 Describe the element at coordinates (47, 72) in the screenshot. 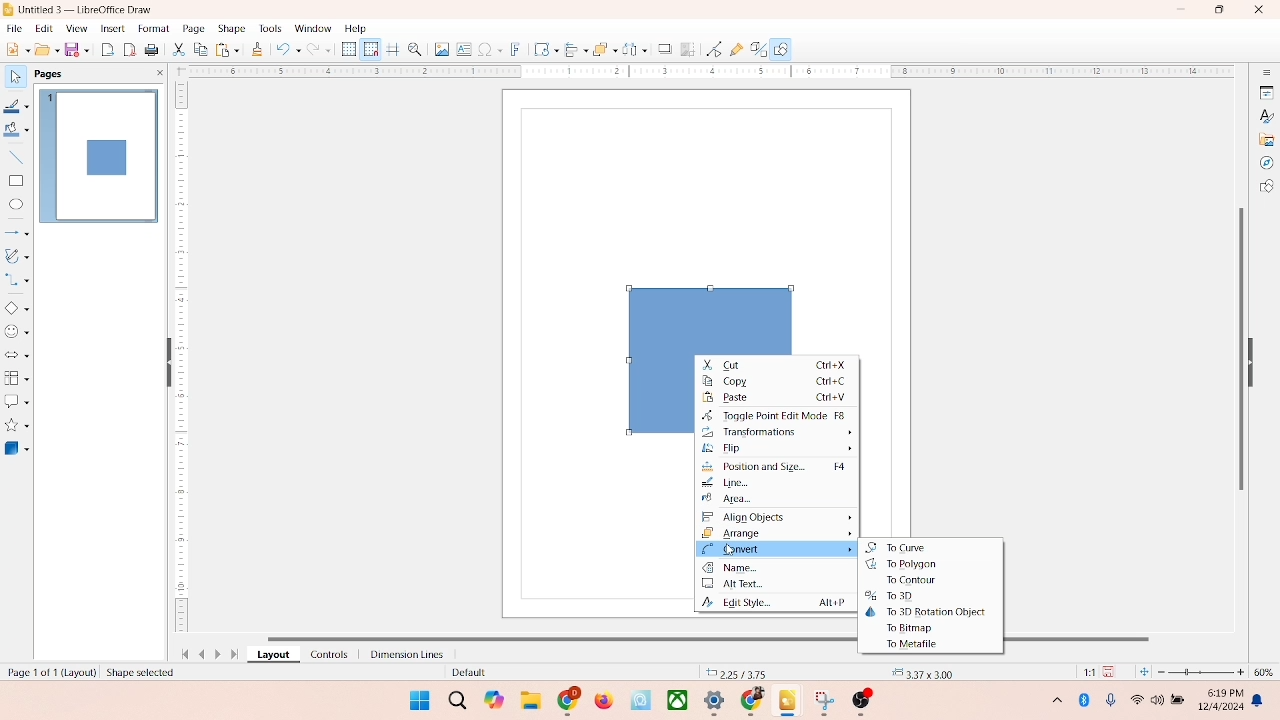

I see `pages` at that location.